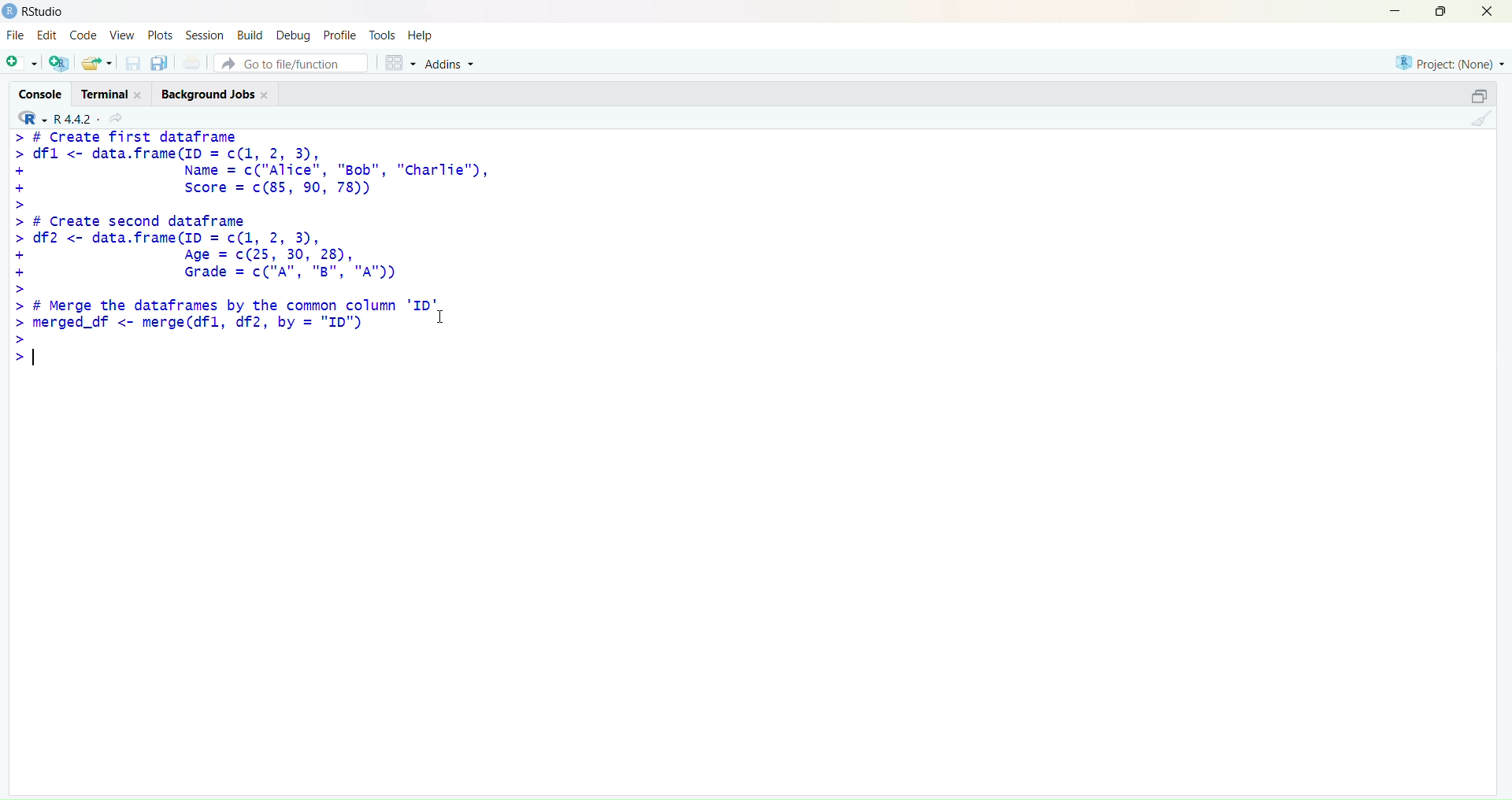 This screenshot has height=800, width=1512. What do you see at coordinates (123, 35) in the screenshot?
I see `View` at bounding box center [123, 35].